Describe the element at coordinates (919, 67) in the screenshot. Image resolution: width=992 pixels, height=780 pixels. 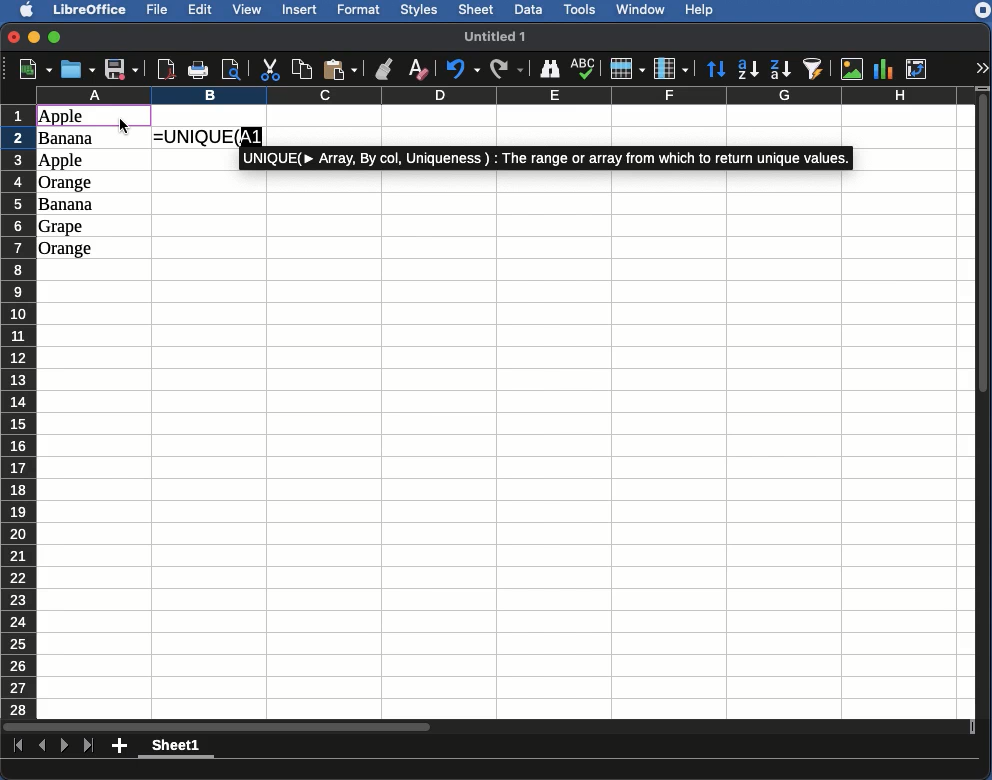
I see `Pivot table` at that location.